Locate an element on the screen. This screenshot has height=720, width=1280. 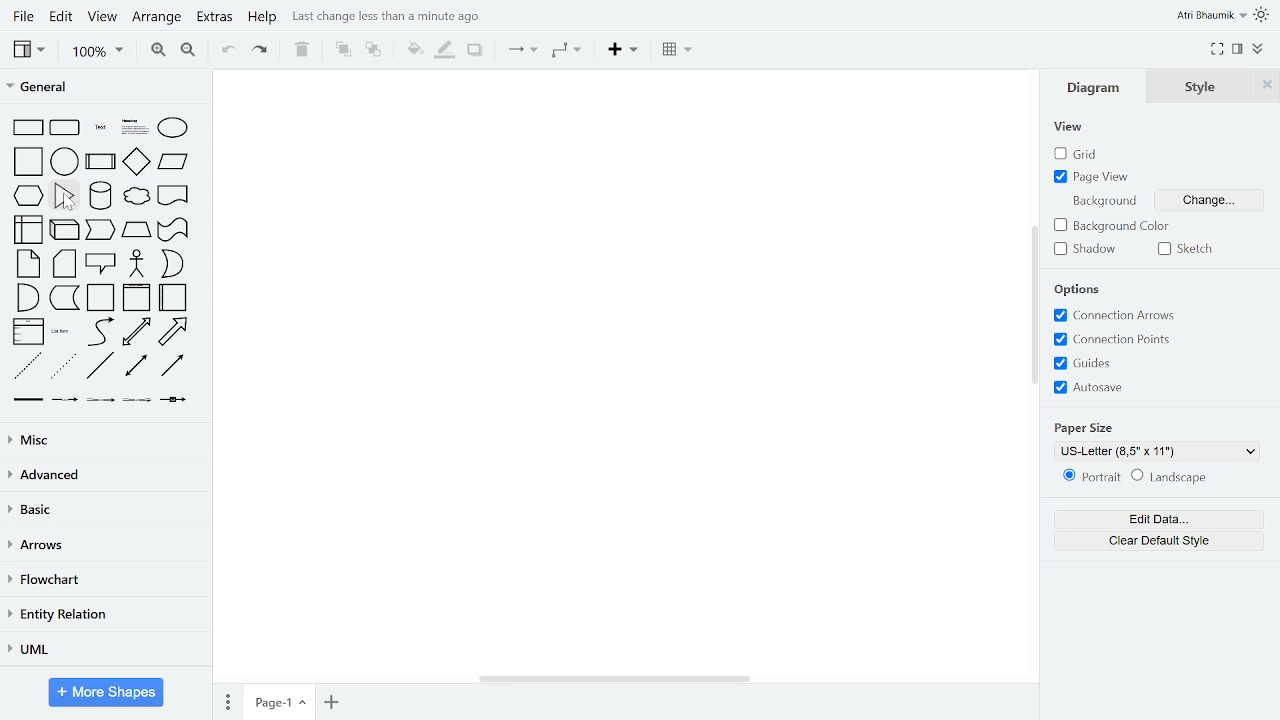
change background is located at coordinates (1210, 201).